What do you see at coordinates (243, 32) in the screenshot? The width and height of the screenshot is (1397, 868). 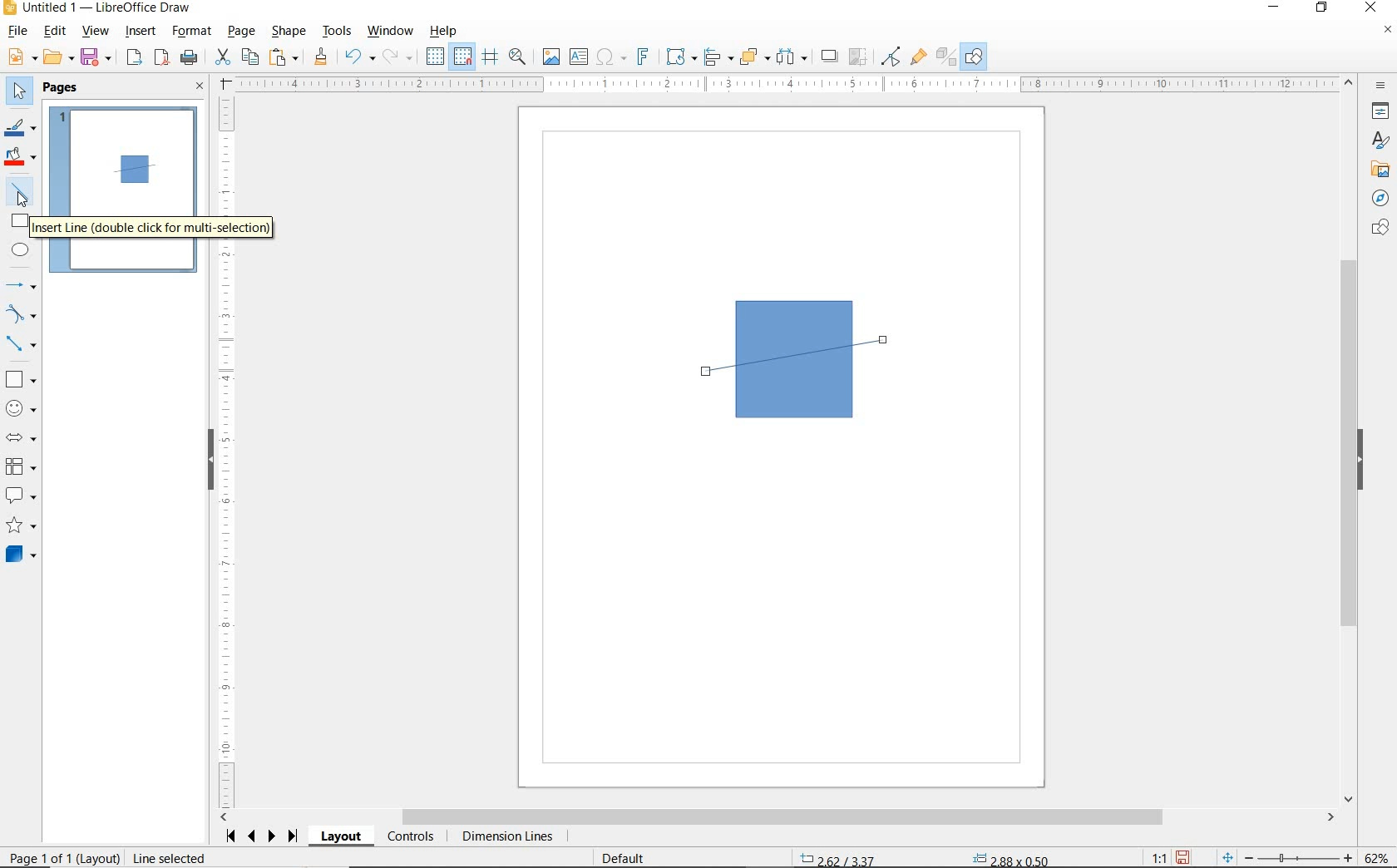 I see `PAGE` at bounding box center [243, 32].